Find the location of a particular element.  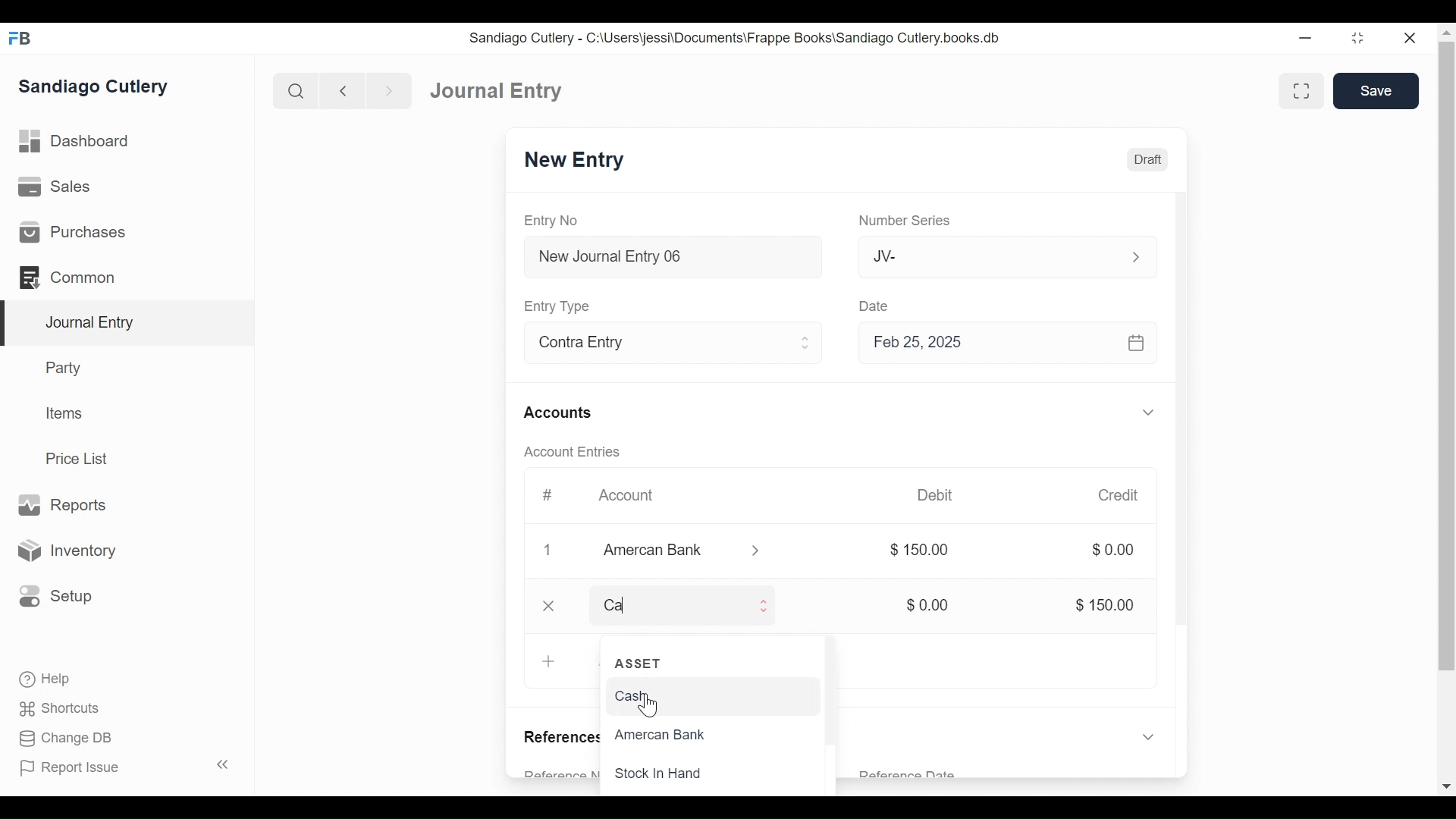

Purchases is located at coordinates (71, 232).